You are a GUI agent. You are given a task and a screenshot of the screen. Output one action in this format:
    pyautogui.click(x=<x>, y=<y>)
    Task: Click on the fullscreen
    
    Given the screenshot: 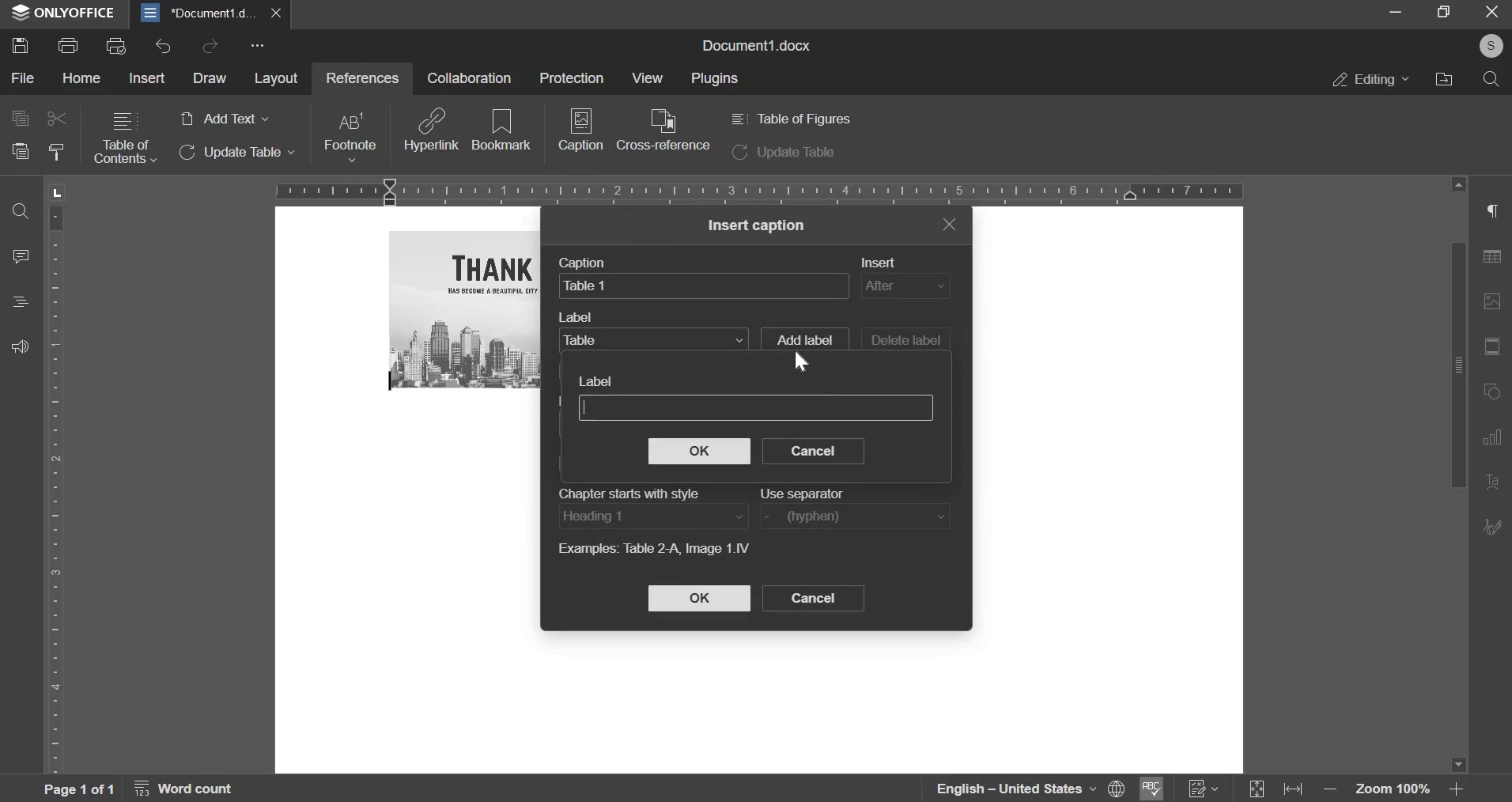 What is the action you would take?
    pyautogui.click(x=1443, y=12)
    